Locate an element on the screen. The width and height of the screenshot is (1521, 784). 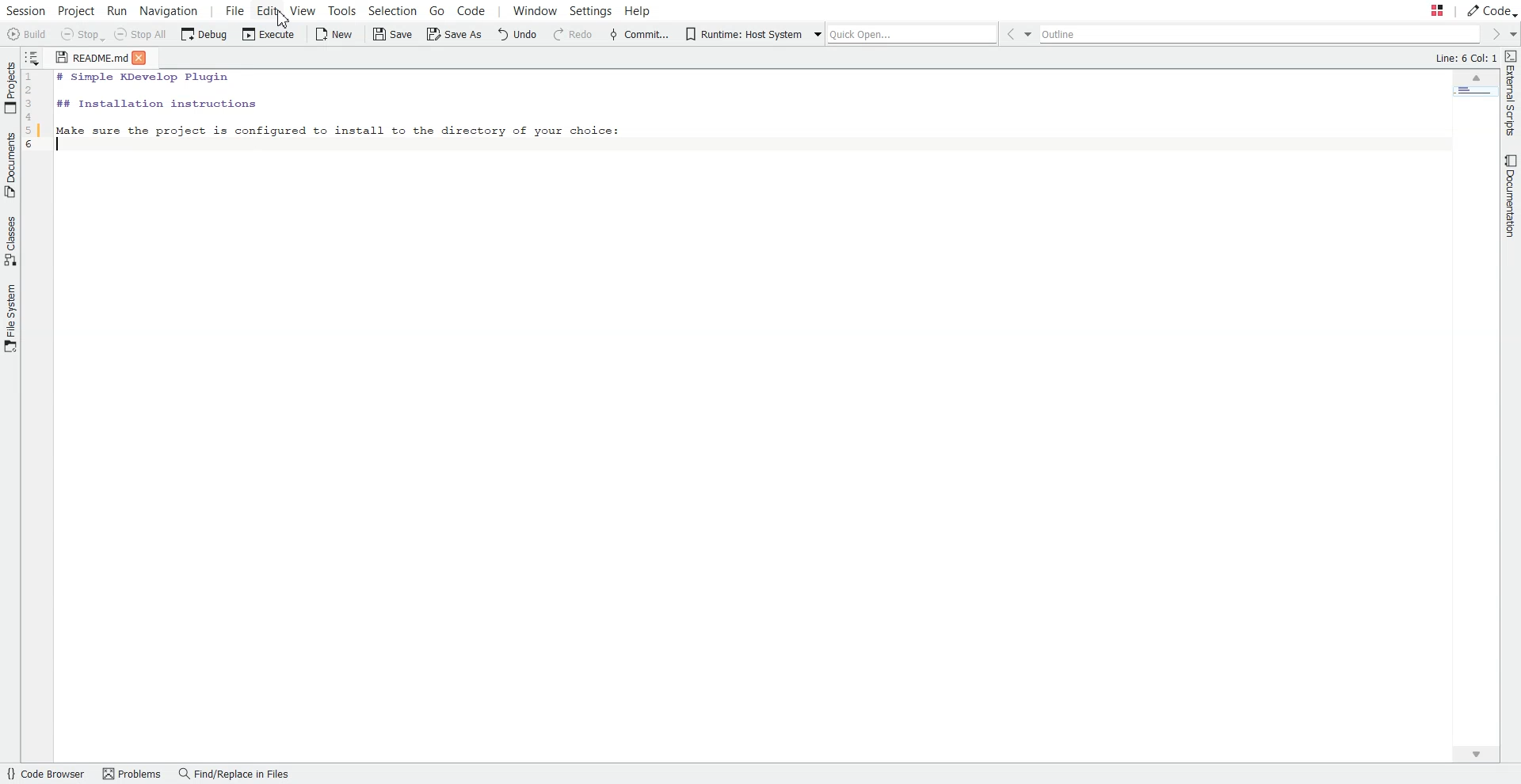
Save is located at coordinates (391, 34).